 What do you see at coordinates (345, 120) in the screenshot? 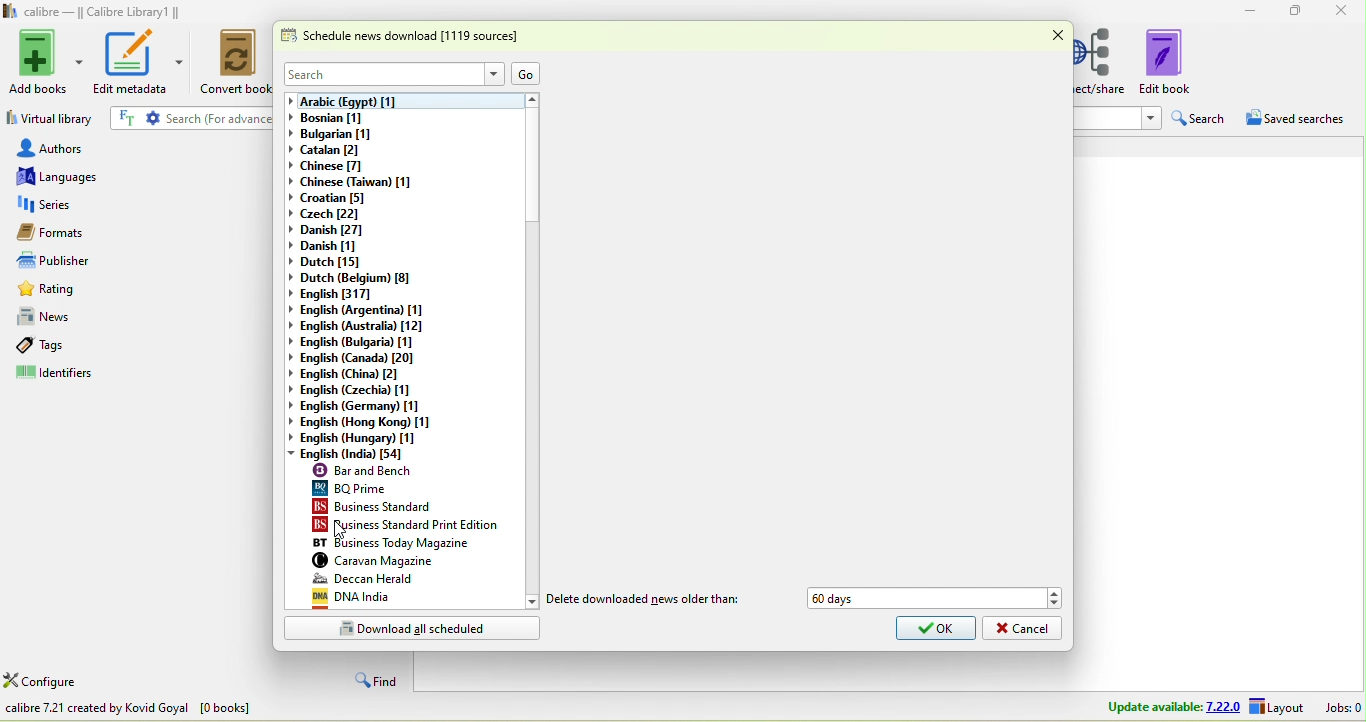
I see `bosnian [1]` at bounding box center [345, 120].